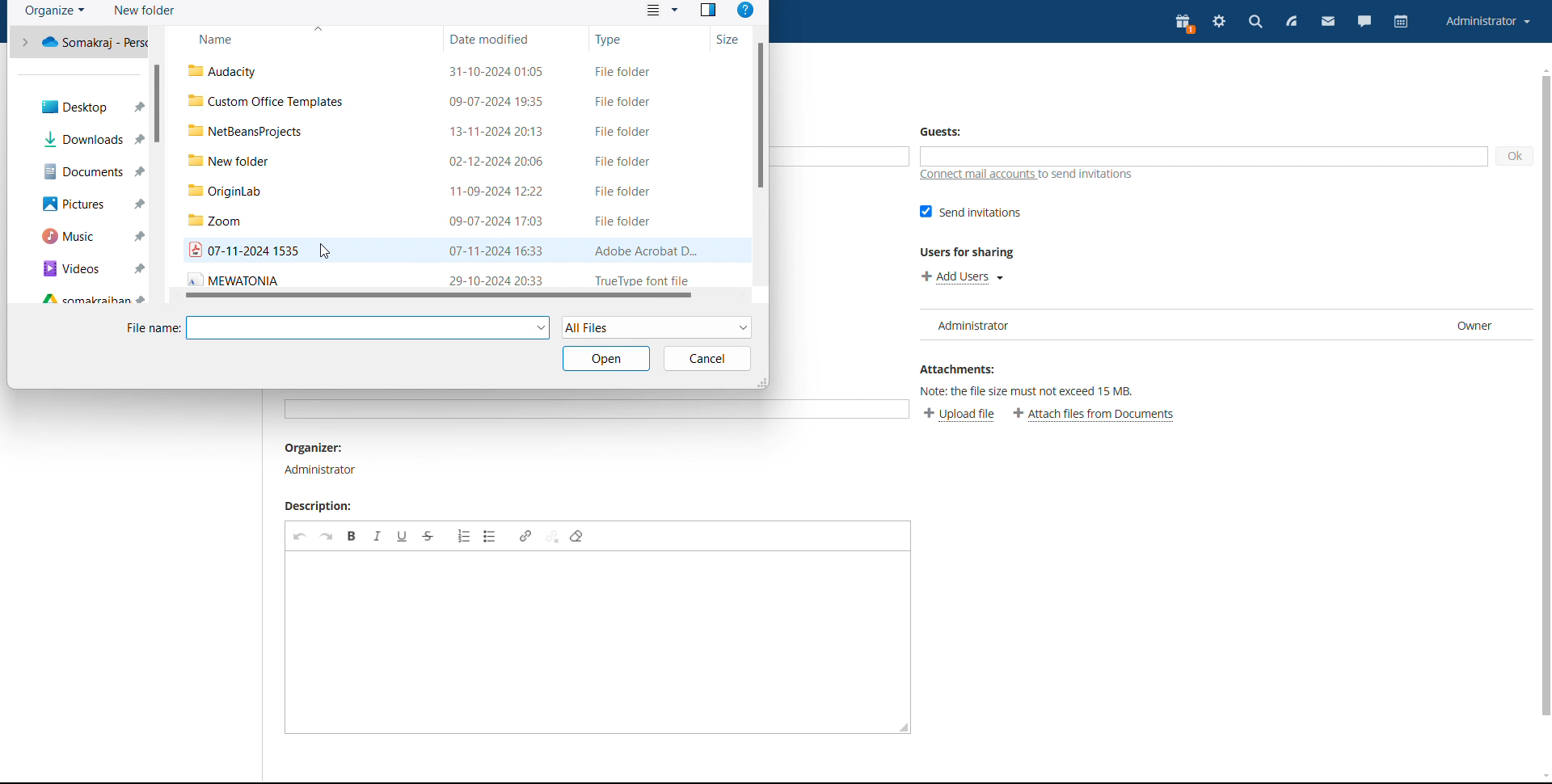  Describe the element at coordinates (458, 66) in the screenshot. I see `files` at that location.